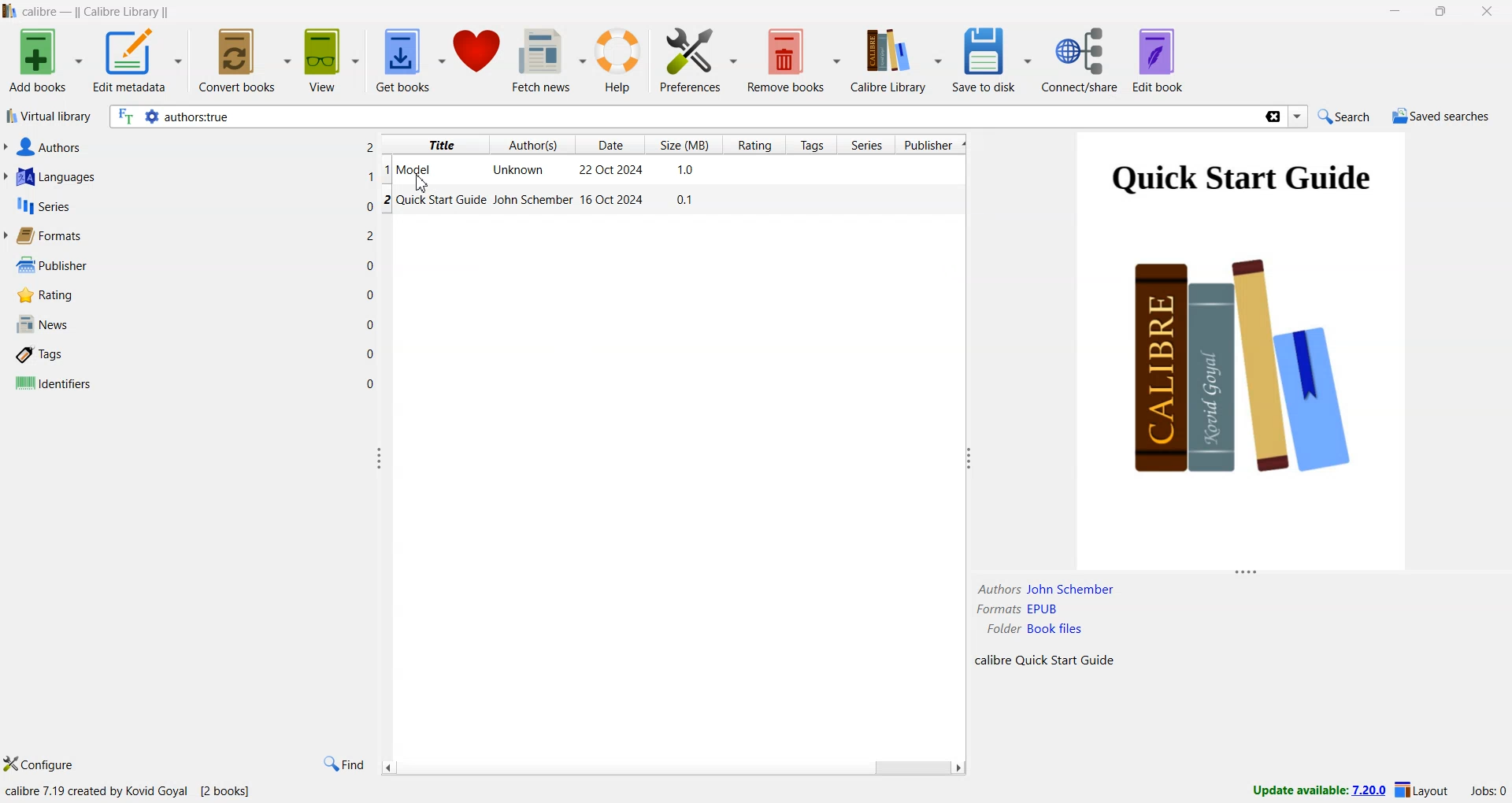  What do you see at coordinates (48, 236) in the screenshot?
I see `formats` at bounding box center [48, 236].